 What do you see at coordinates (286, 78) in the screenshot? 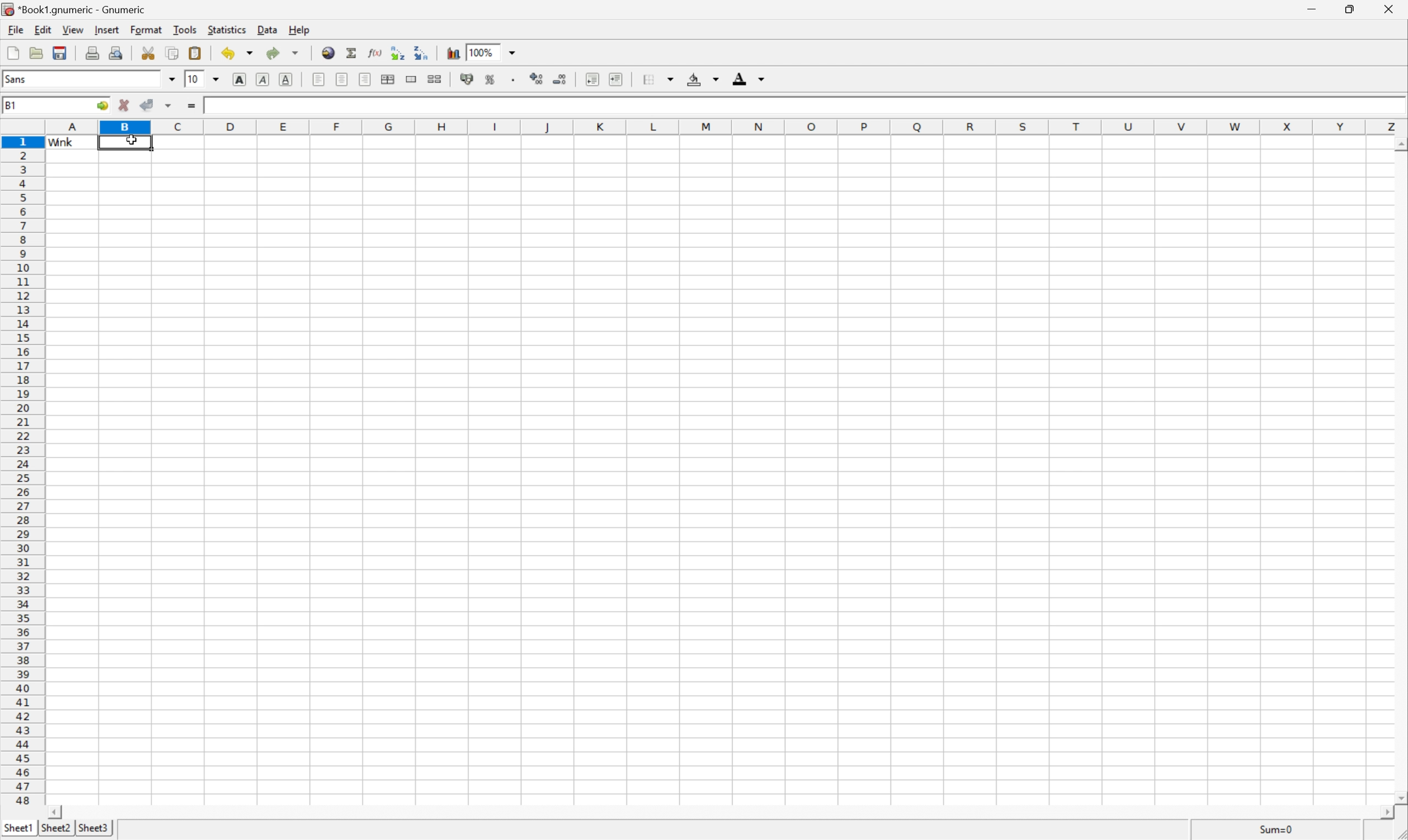
I see `underline` at bounding box center [286, 78].